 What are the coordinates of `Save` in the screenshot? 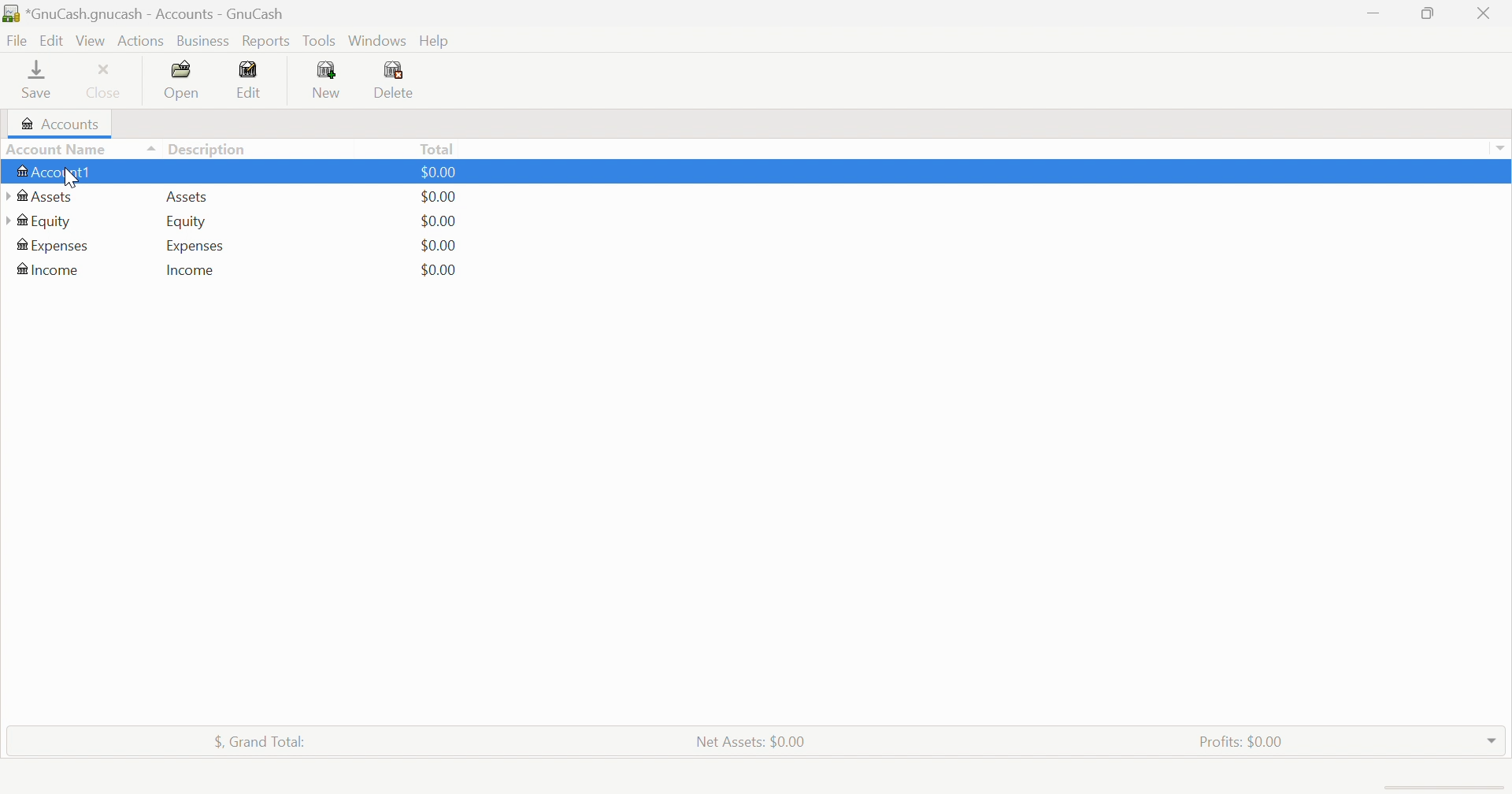 It's located at (42, 80).